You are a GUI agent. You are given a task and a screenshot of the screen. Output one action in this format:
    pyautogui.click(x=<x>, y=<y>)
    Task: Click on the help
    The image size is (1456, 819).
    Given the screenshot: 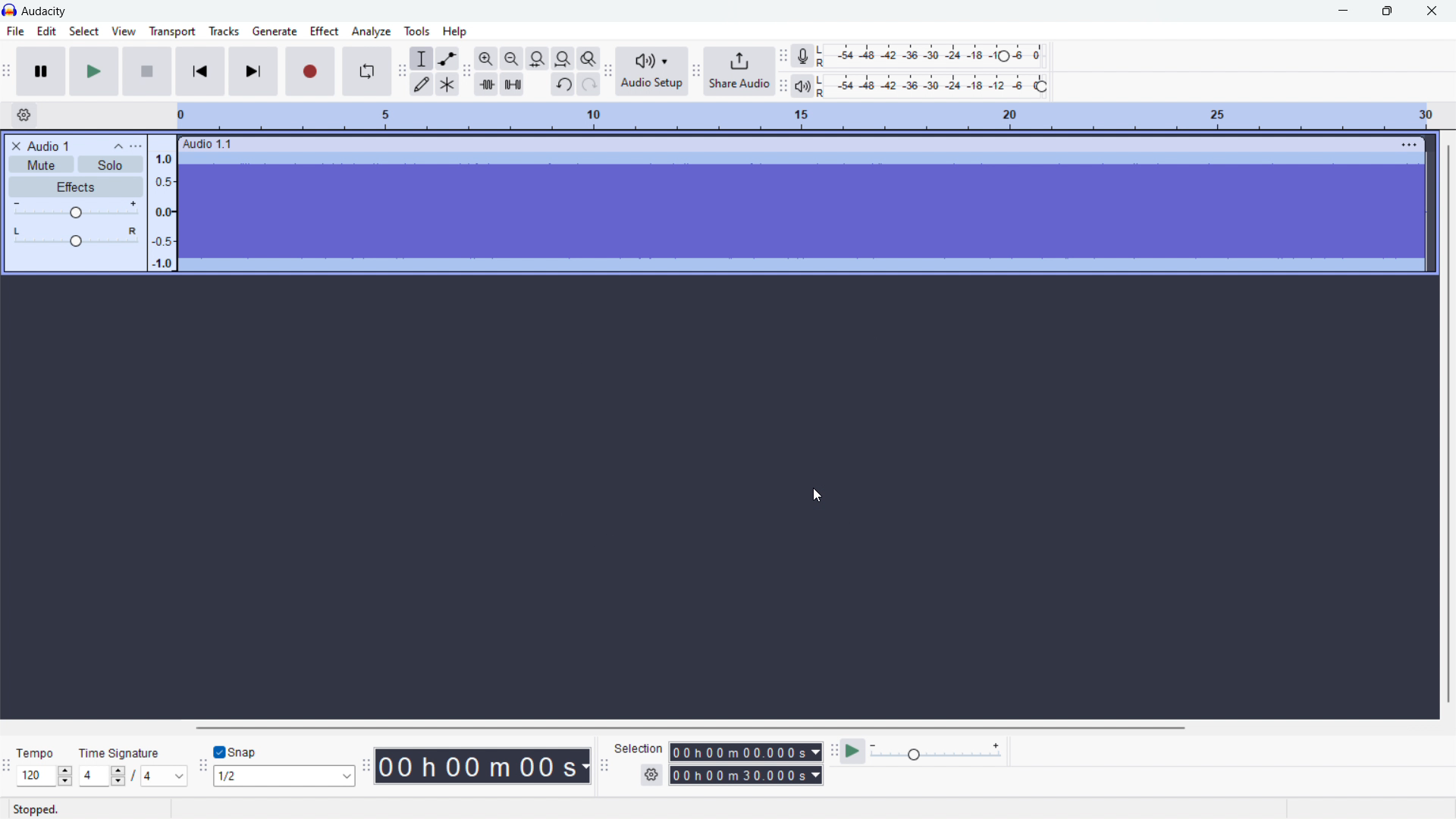 What is the action you would take?
    pyautogui.click(x=454, y=30)
    